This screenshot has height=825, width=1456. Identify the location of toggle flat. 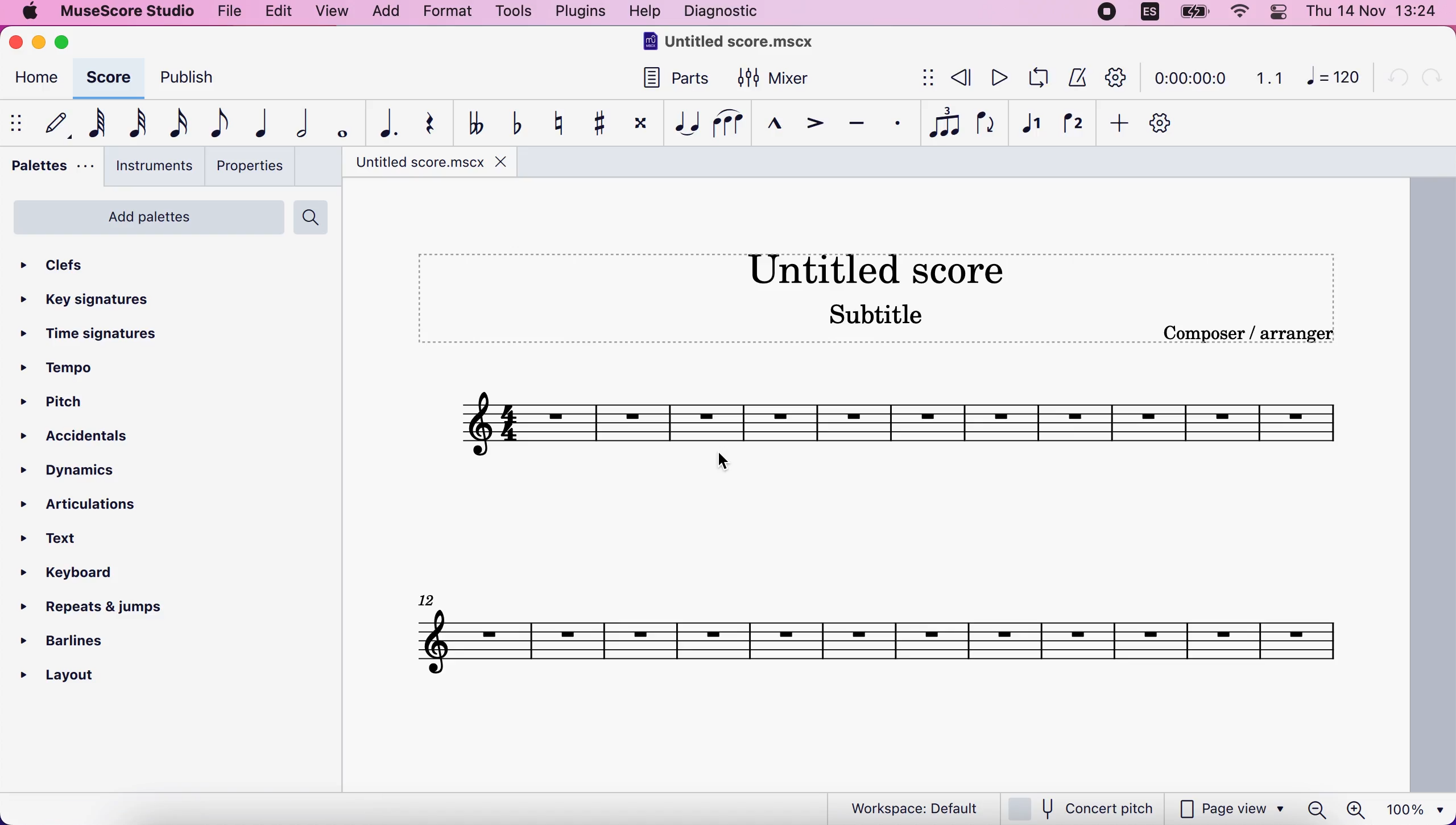
(515, 124).